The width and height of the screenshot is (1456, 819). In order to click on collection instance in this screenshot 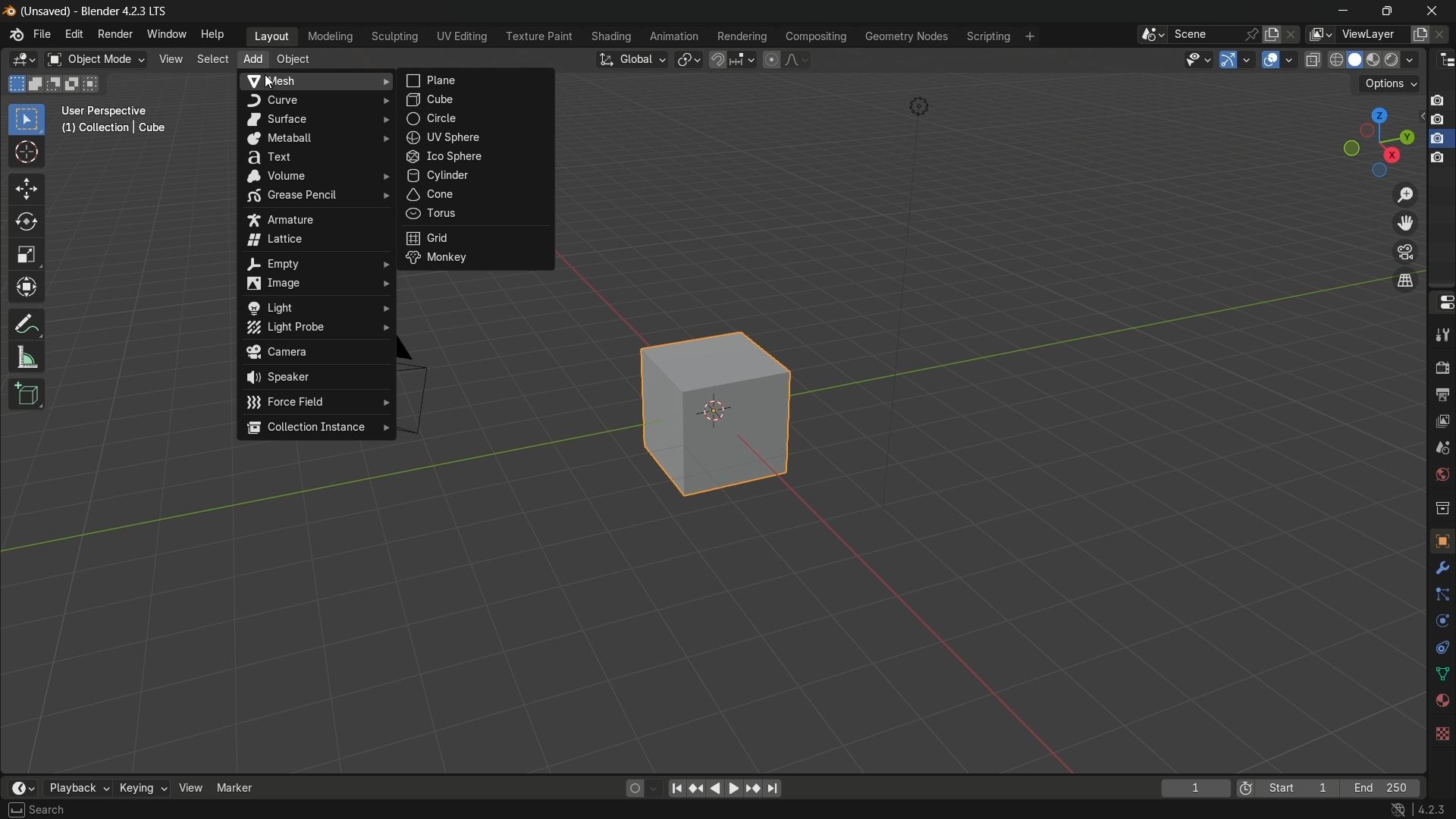, I will do `click(315, 428)`.